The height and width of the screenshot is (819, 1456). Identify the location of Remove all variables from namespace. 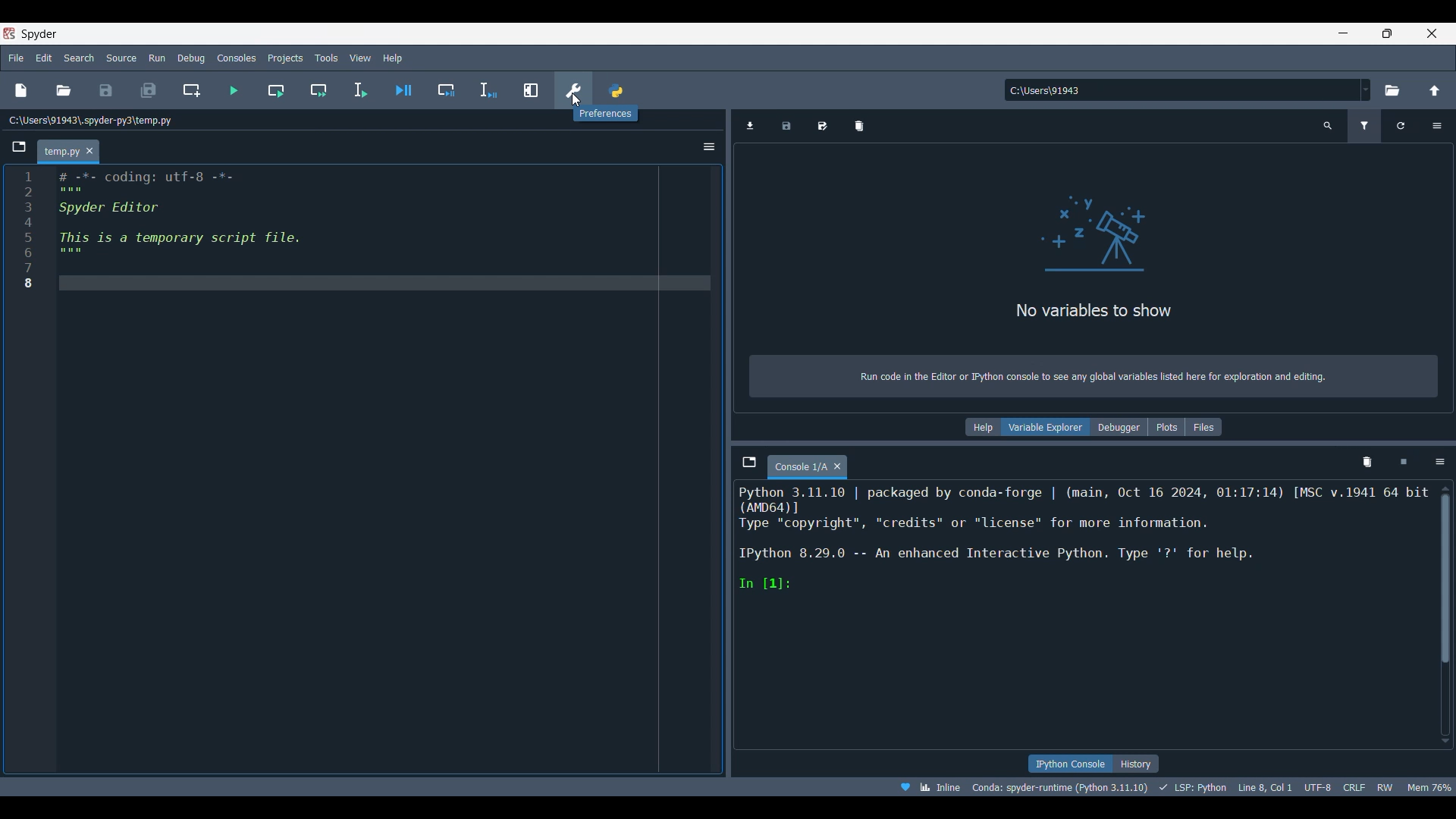
(1367, 463).